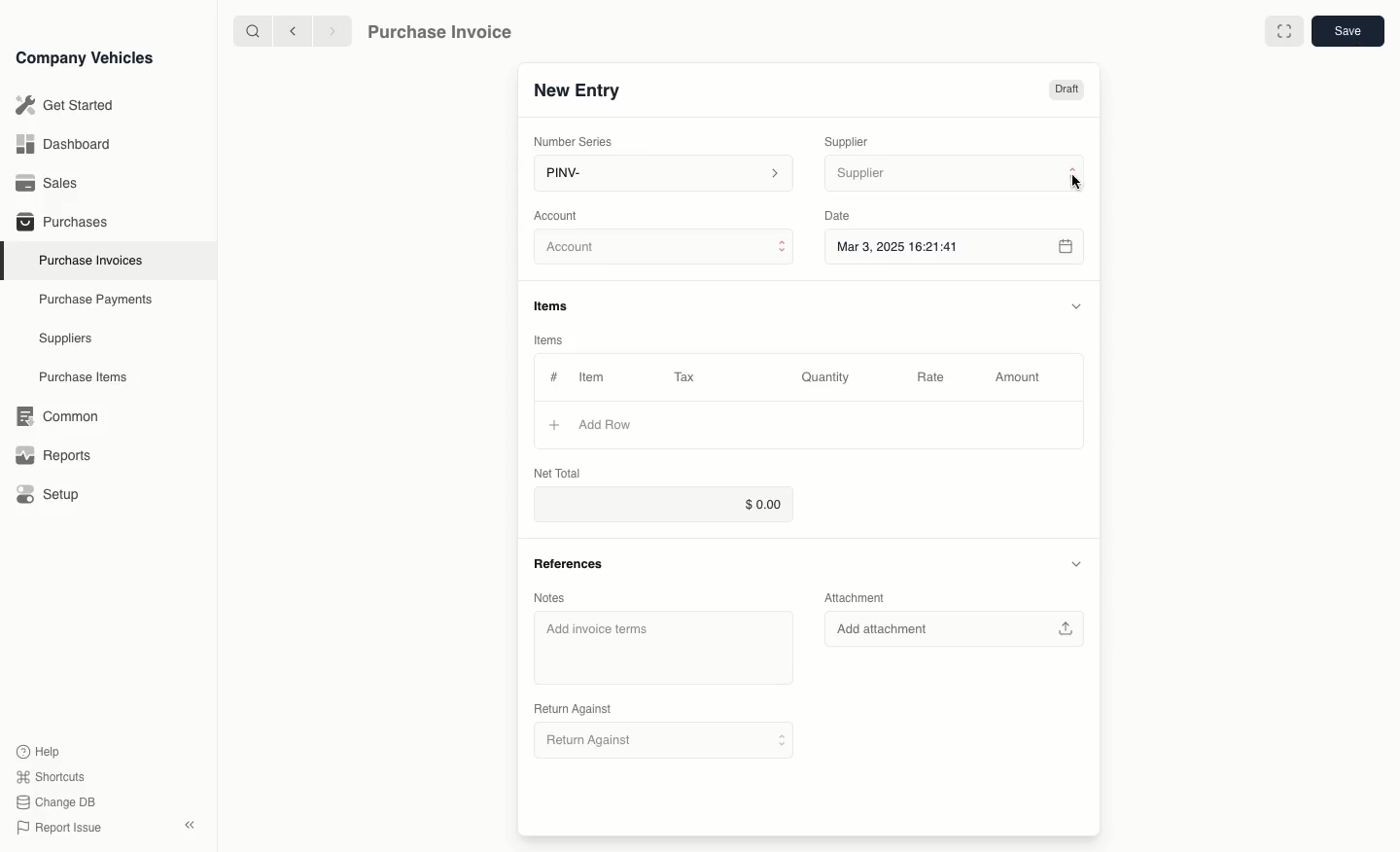  What do you see at coordinates (838, 216) in the screenshot?
I see `Date` at bounding box center [838, 216].